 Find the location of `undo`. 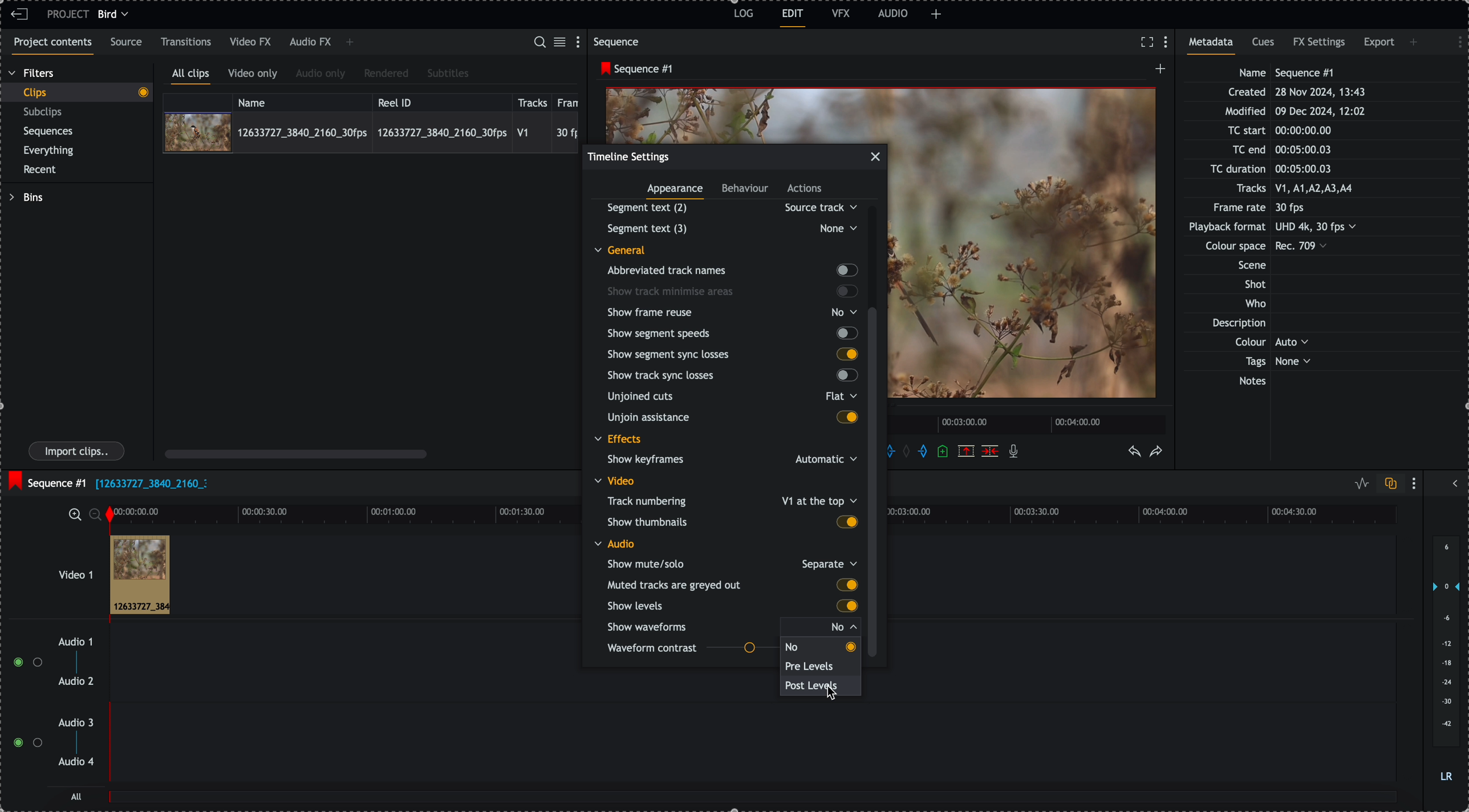

undo is located at coordinates (1135, 452).